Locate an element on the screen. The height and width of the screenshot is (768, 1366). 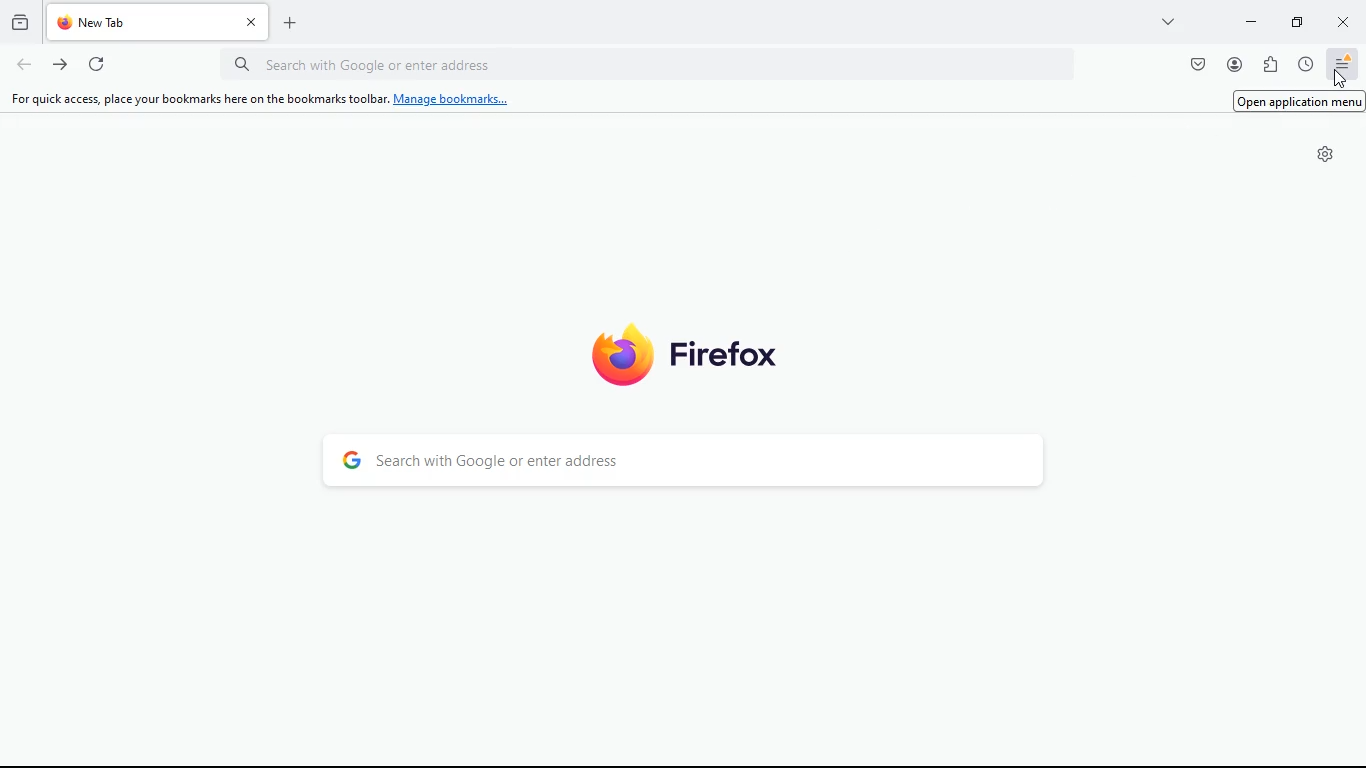
Search Bar is located at coordinates (646, 63).